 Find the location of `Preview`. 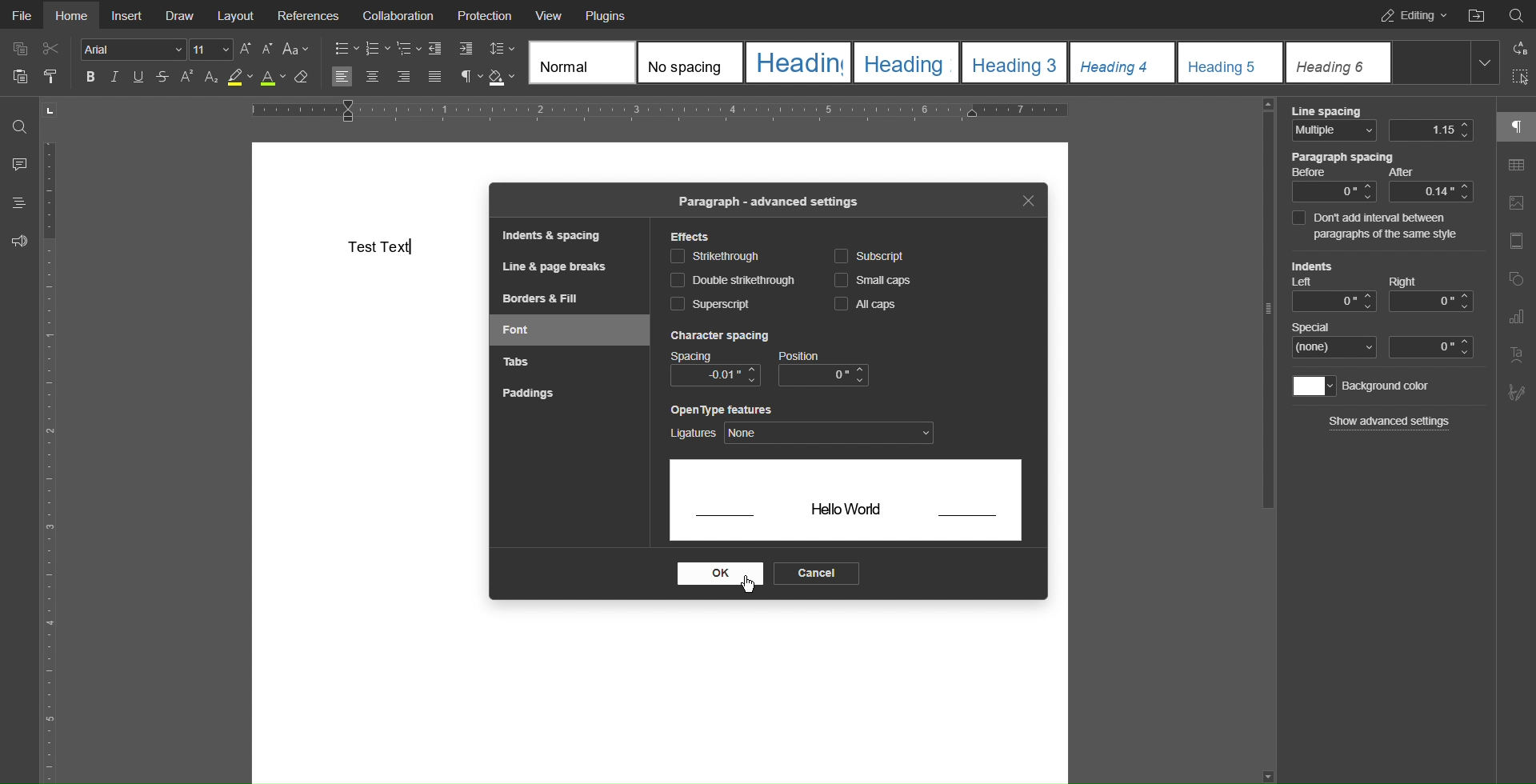

Preview is located at coordinates (846, 504).